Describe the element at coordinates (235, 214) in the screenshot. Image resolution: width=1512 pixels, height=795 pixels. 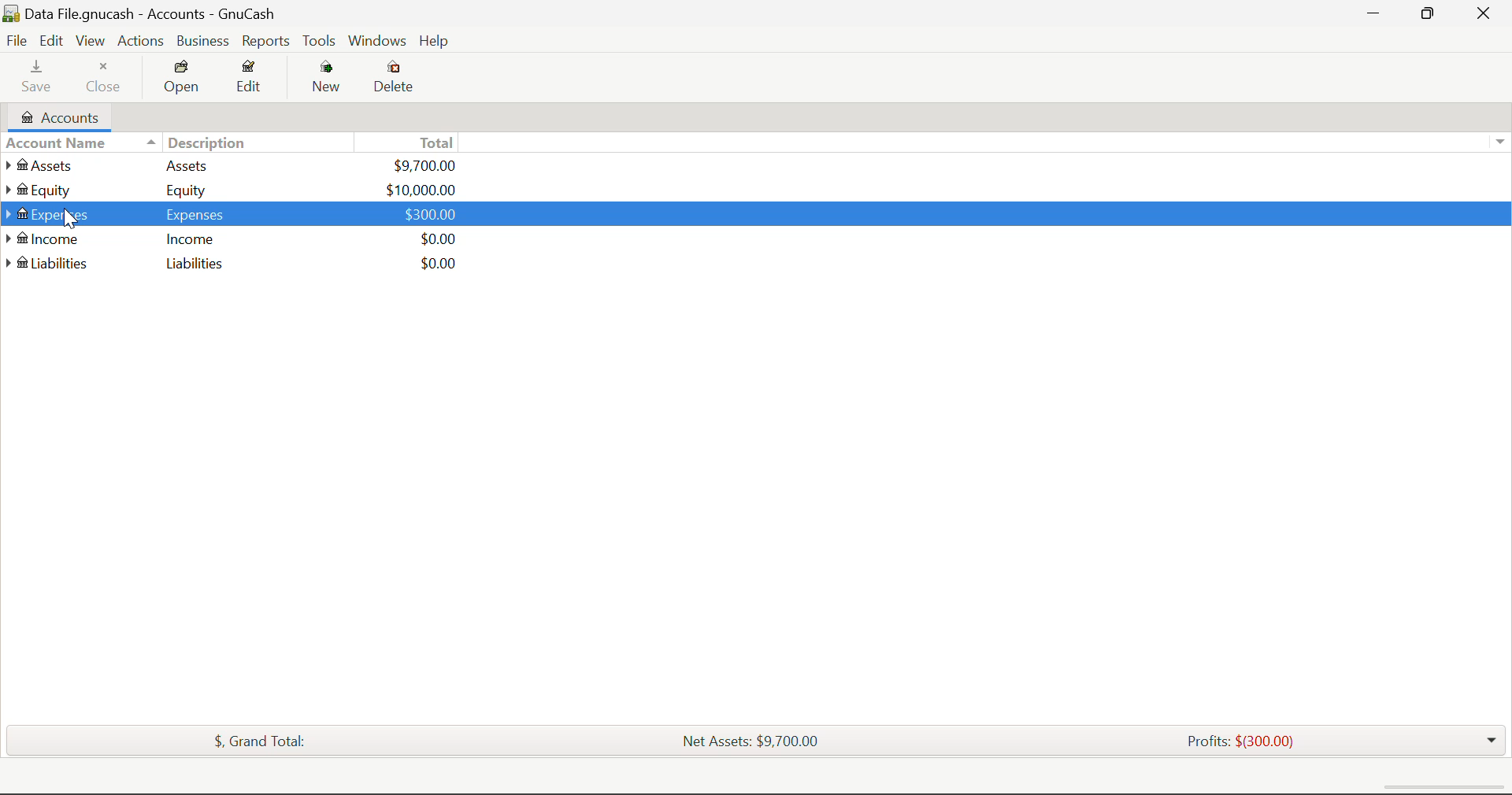
I see `Expenses Expenses $300.00` at that location.